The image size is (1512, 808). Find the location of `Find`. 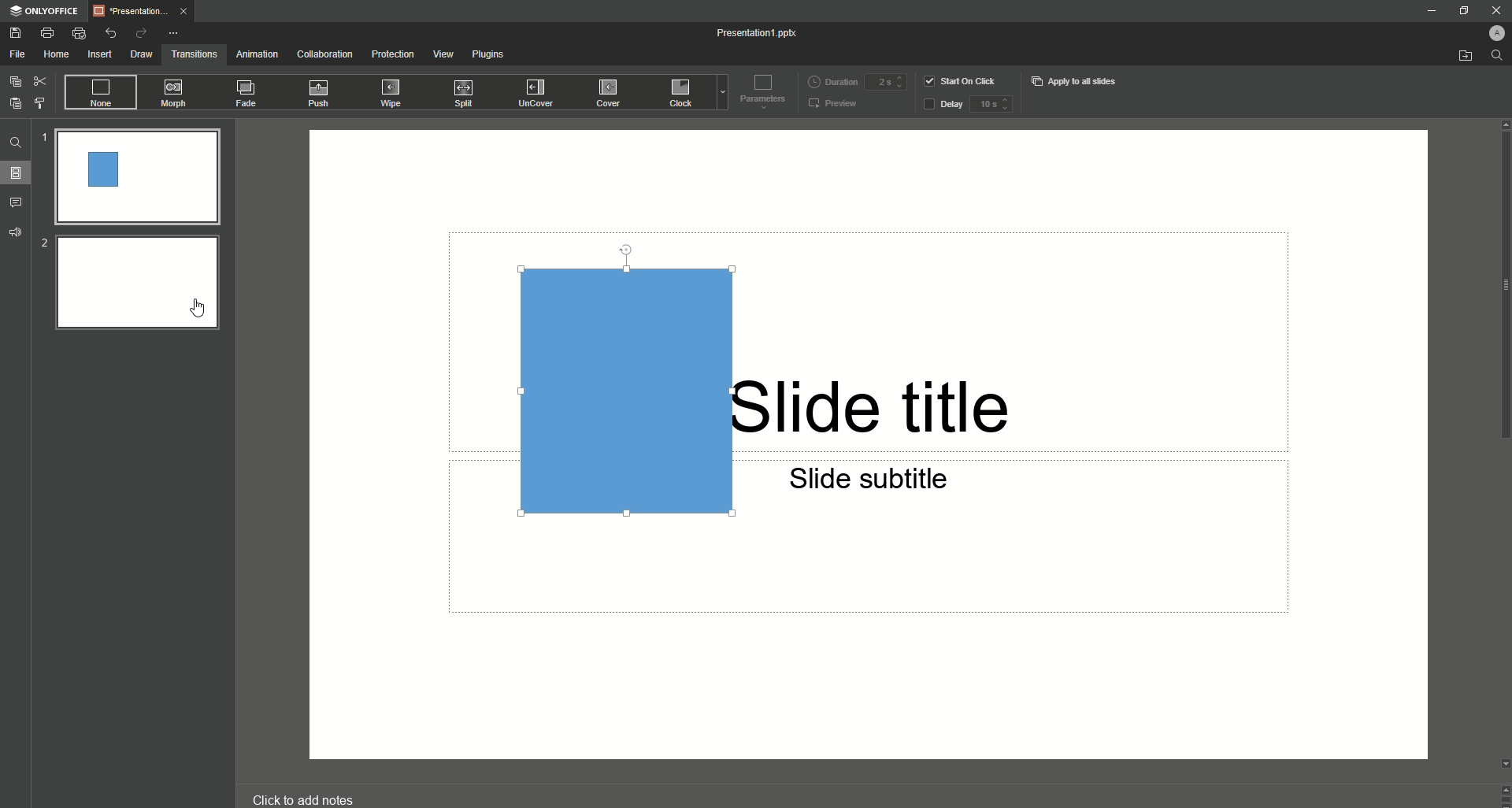

Find is located at coordinates (14, 142).